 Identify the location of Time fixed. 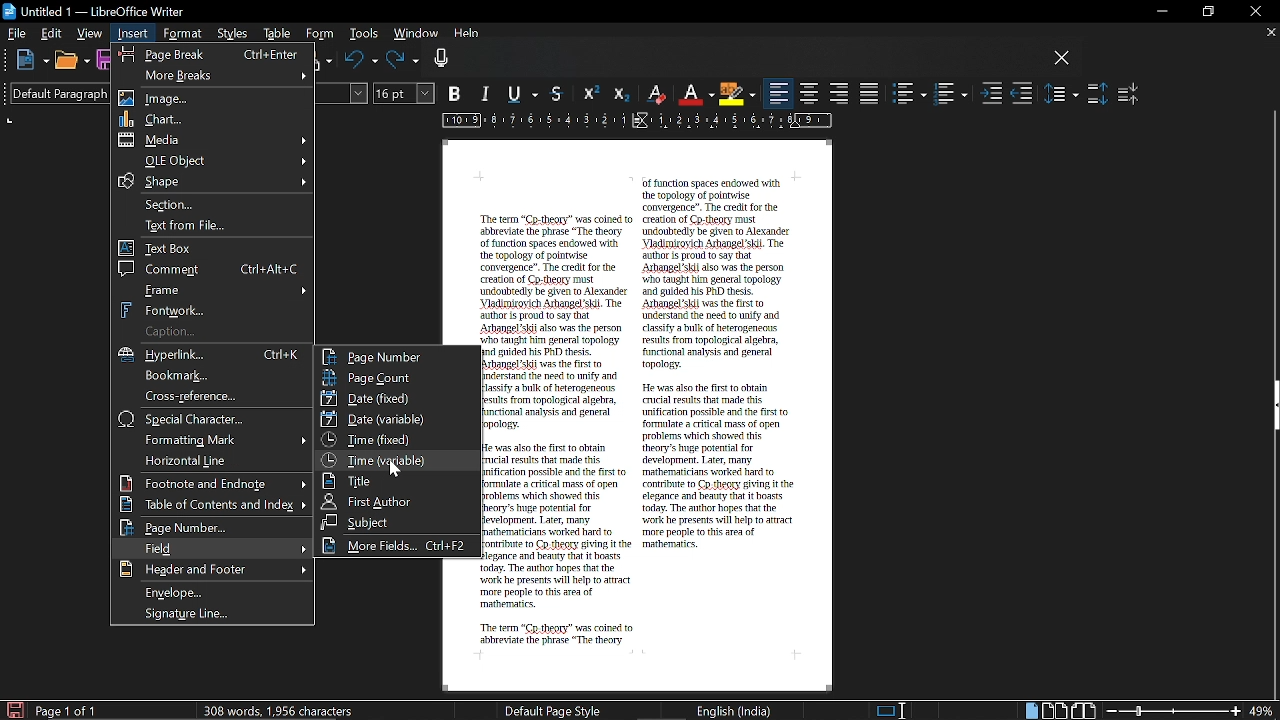
(395, 439).